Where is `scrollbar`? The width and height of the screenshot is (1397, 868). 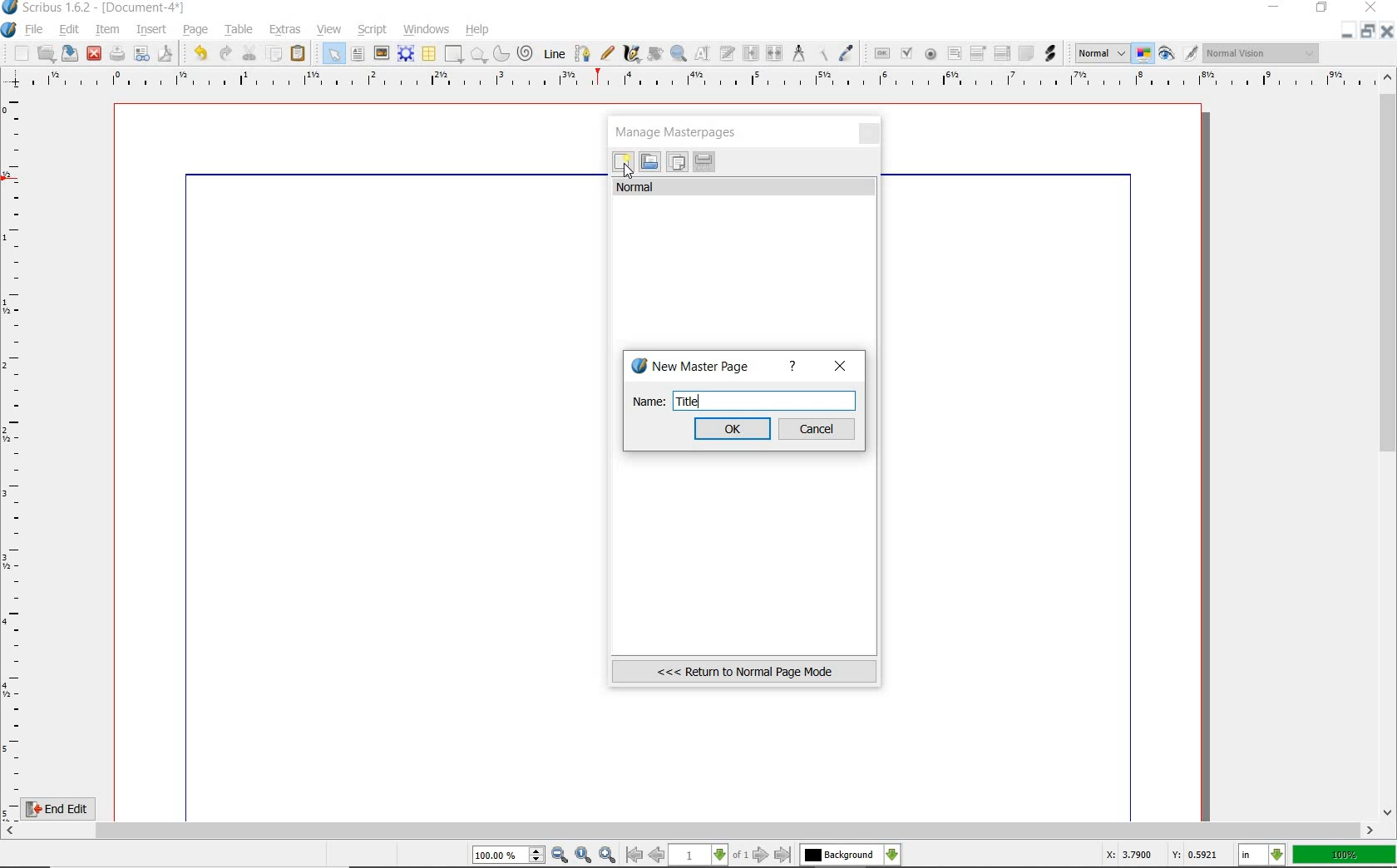
scrollbar is located at coordinates (1389, 443).